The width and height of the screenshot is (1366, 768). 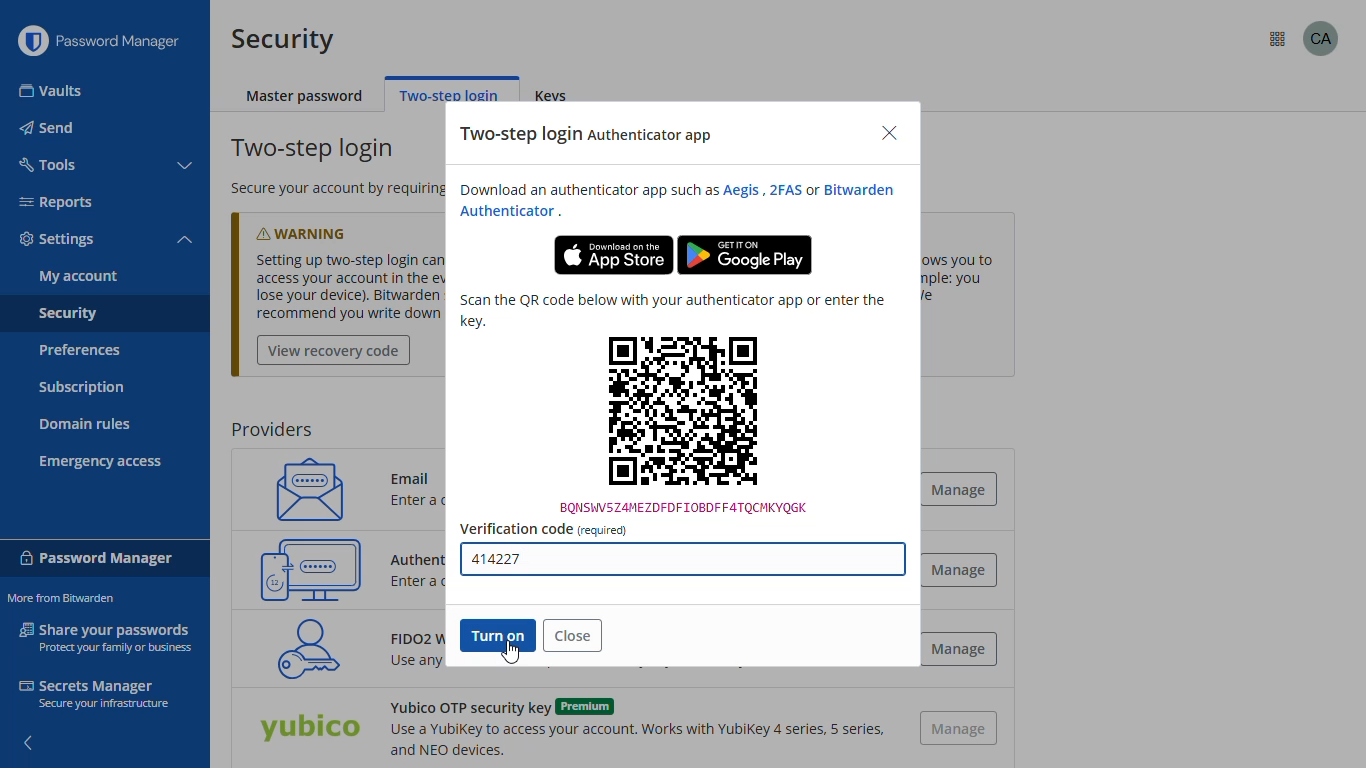 I want to click on two-step login, so click(x=449, y=93).